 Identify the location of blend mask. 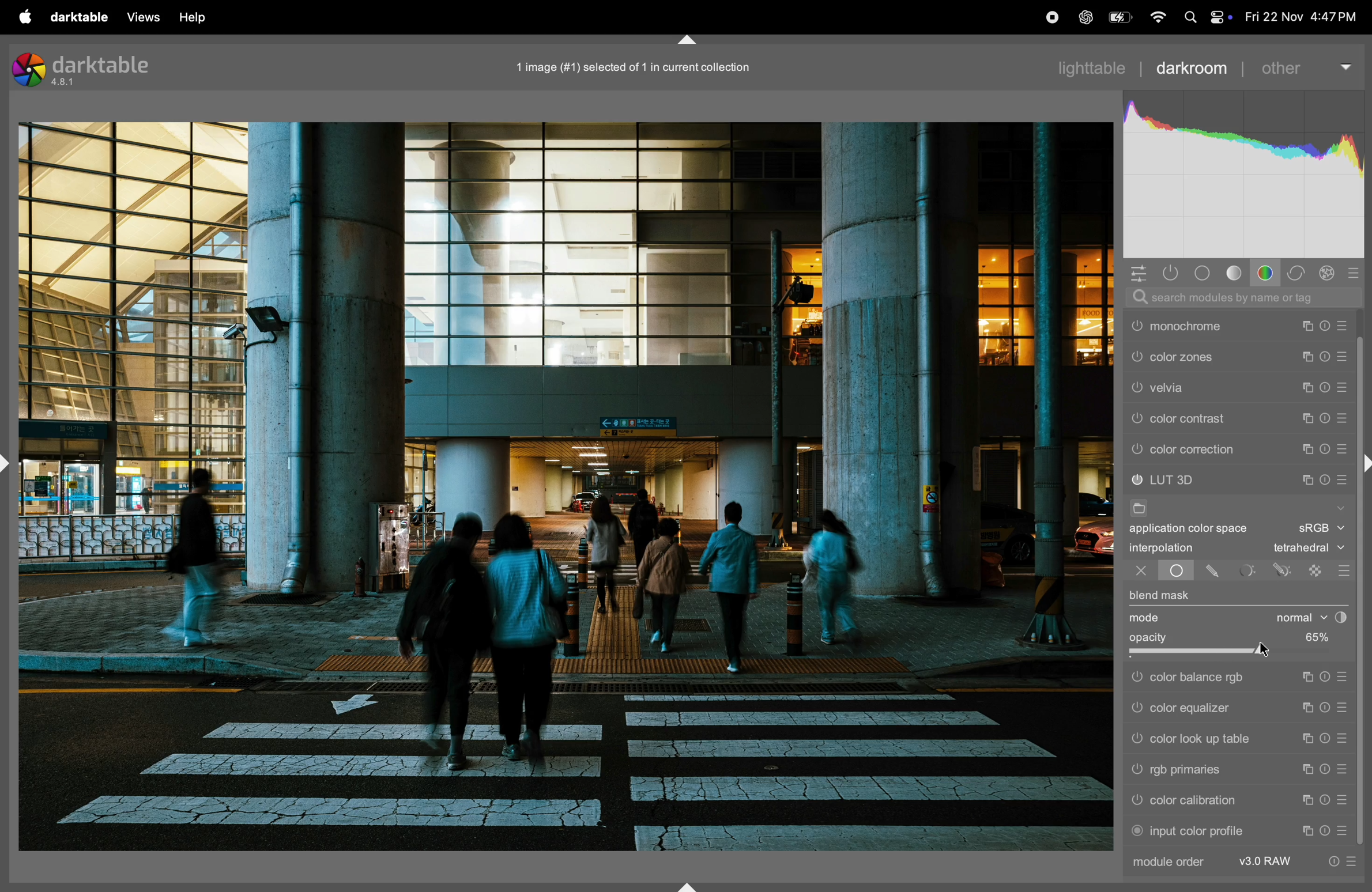
(1162, 595).